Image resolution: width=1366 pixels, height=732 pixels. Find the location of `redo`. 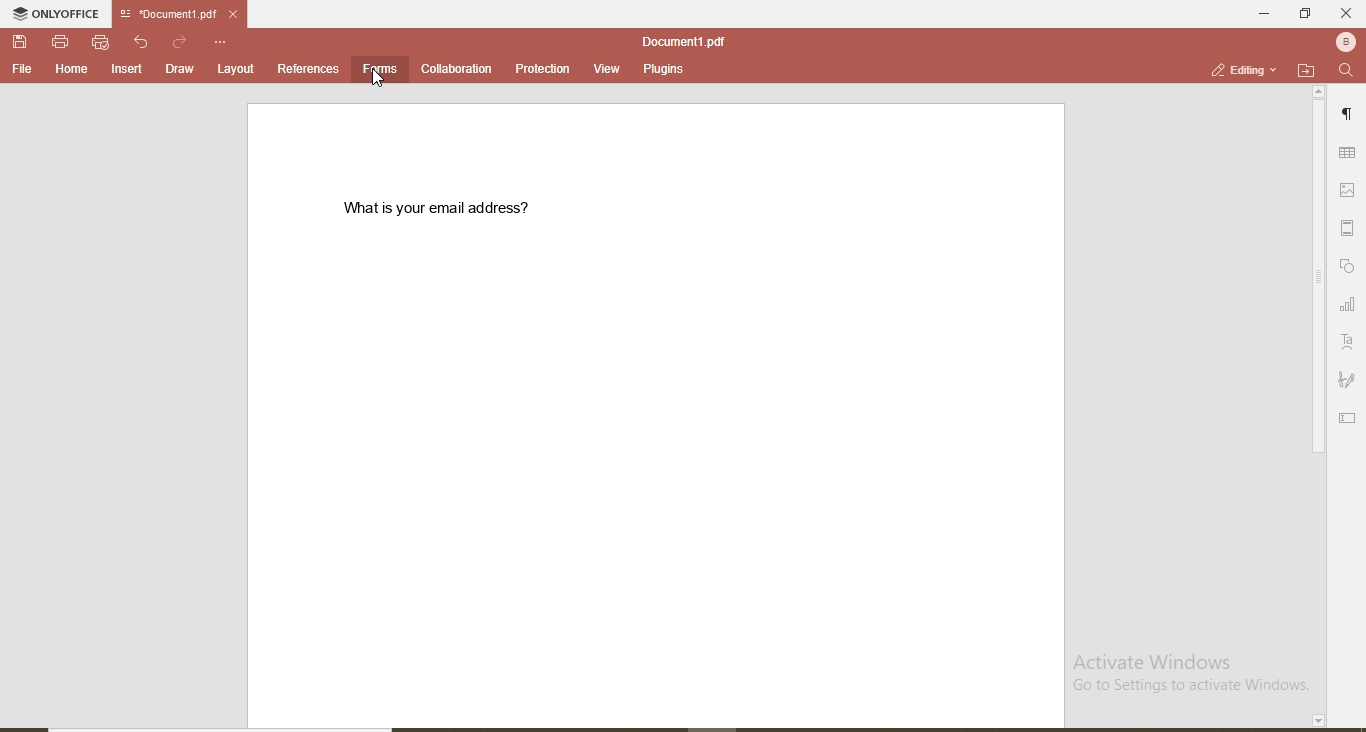

redo is located at coordinates (181, 41).